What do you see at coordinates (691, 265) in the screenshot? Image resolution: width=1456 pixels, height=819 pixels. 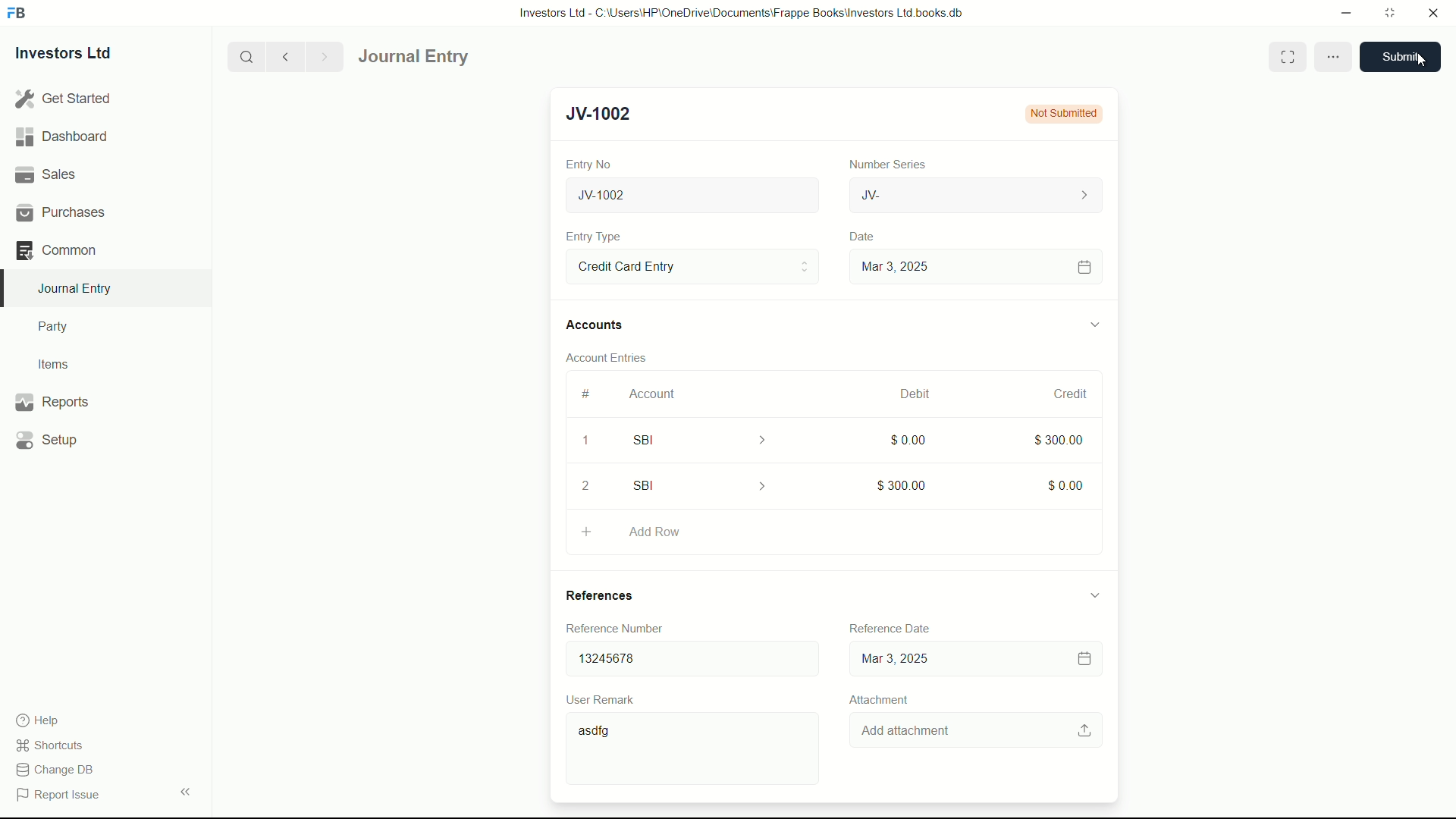 I see `Entry Type` at bounding box center [691, 265].